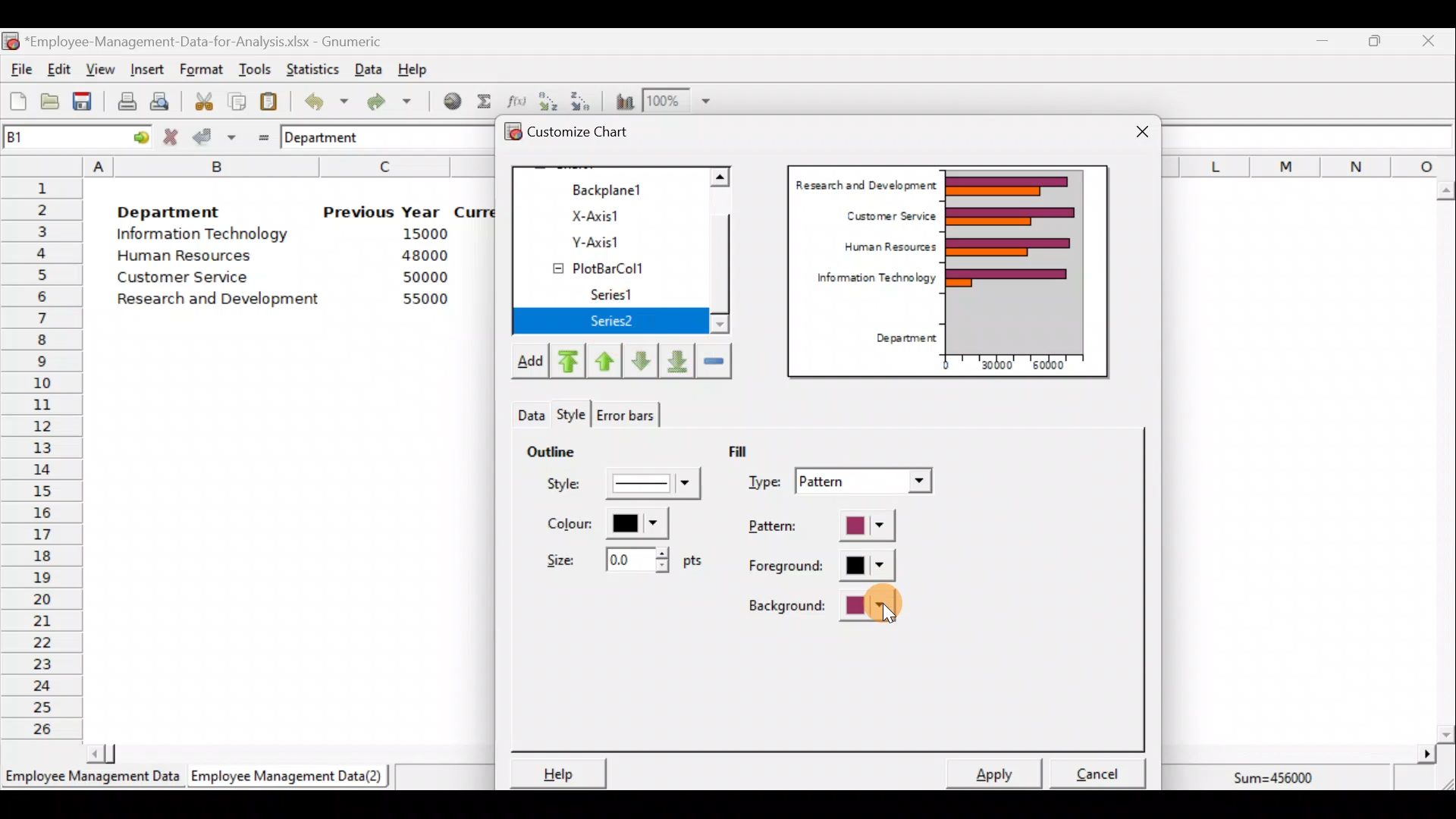  What do you see at coordinates (1282, 780) in the screenshot?
I see `Sum=456000` at bounding box center [1282, 780].